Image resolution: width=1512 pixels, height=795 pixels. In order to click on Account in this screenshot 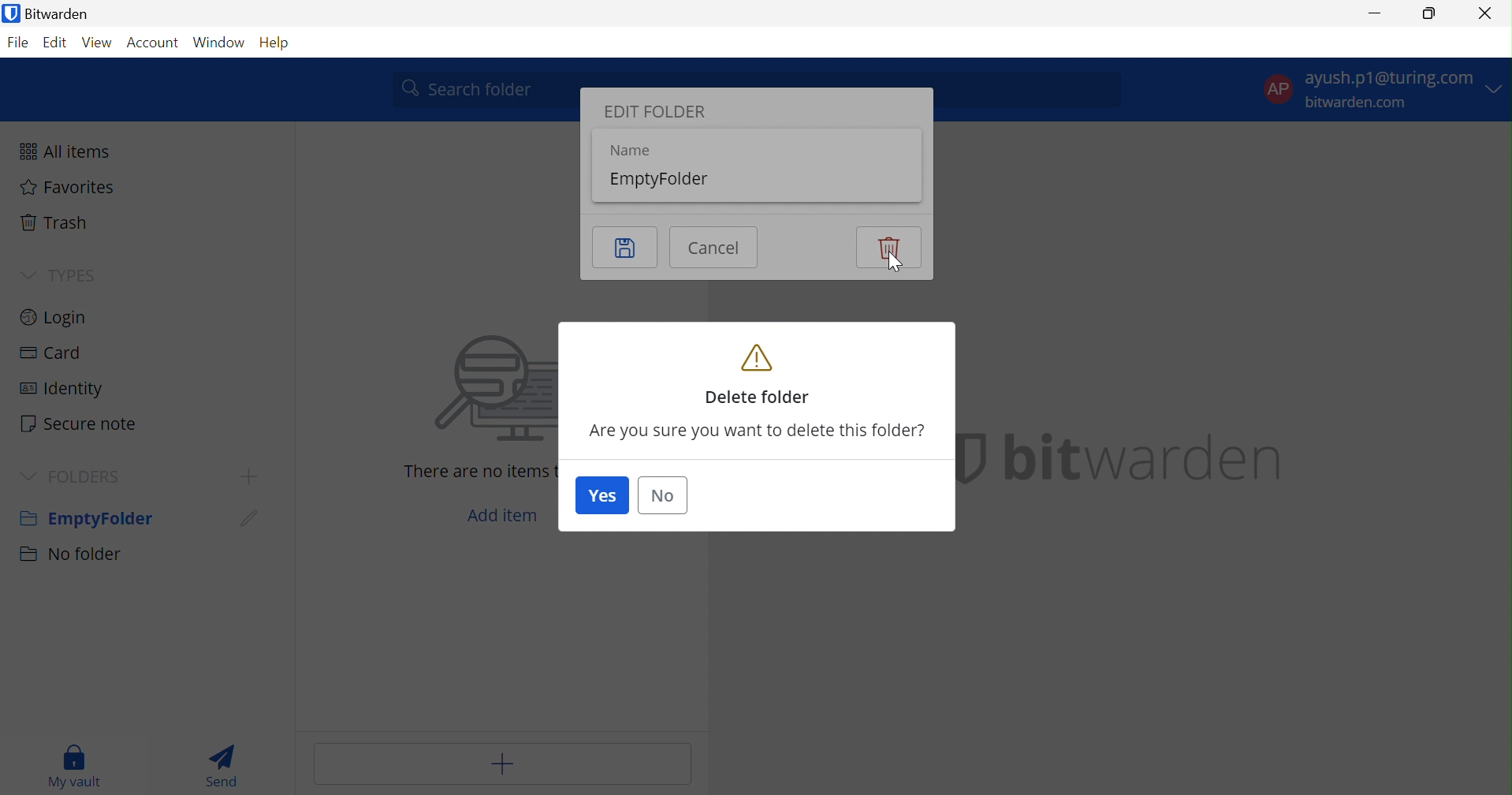, I will do `click(151, 43)`.